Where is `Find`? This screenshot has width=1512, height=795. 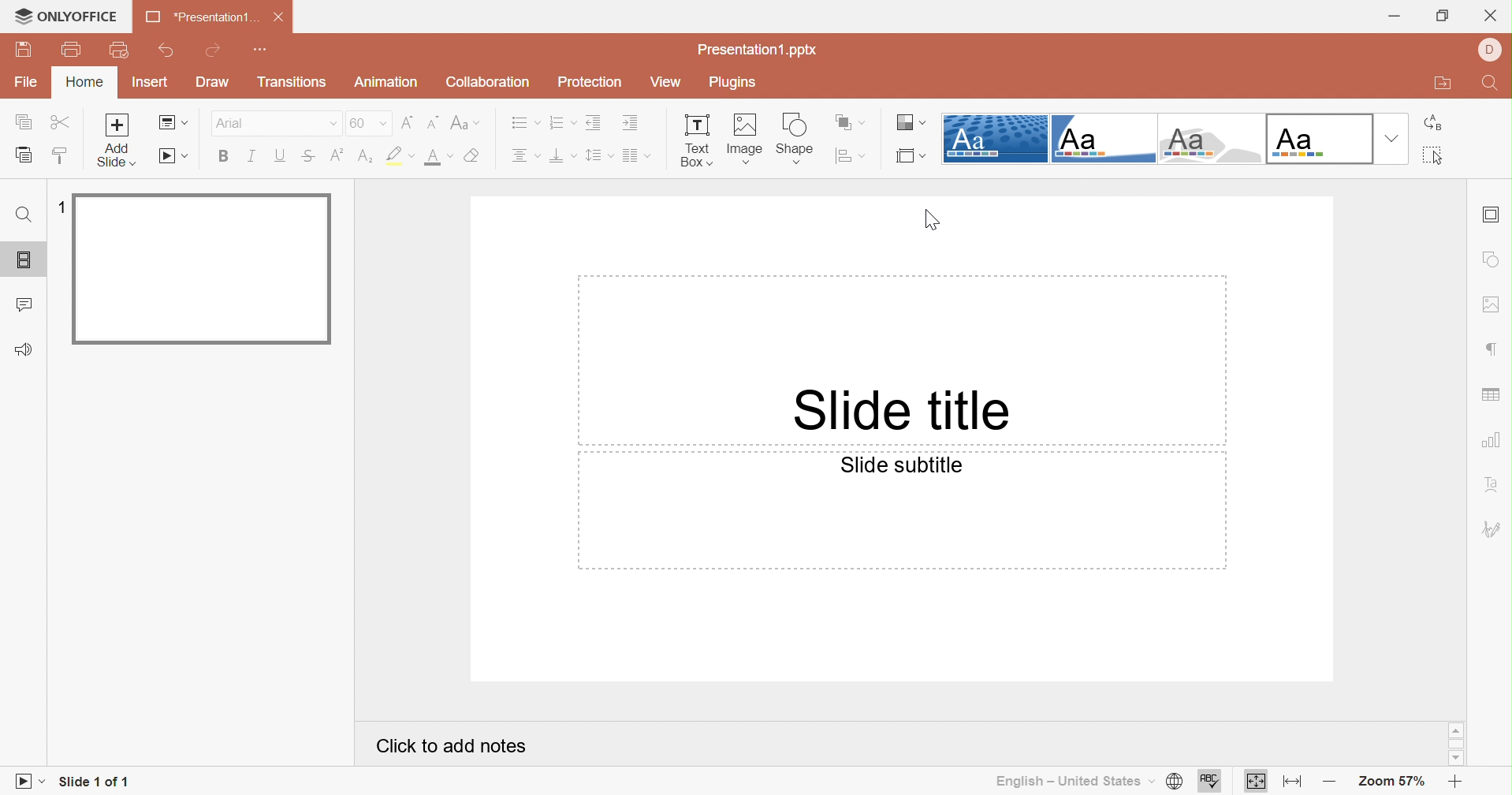 Find is located at coordinates (1494, 84).